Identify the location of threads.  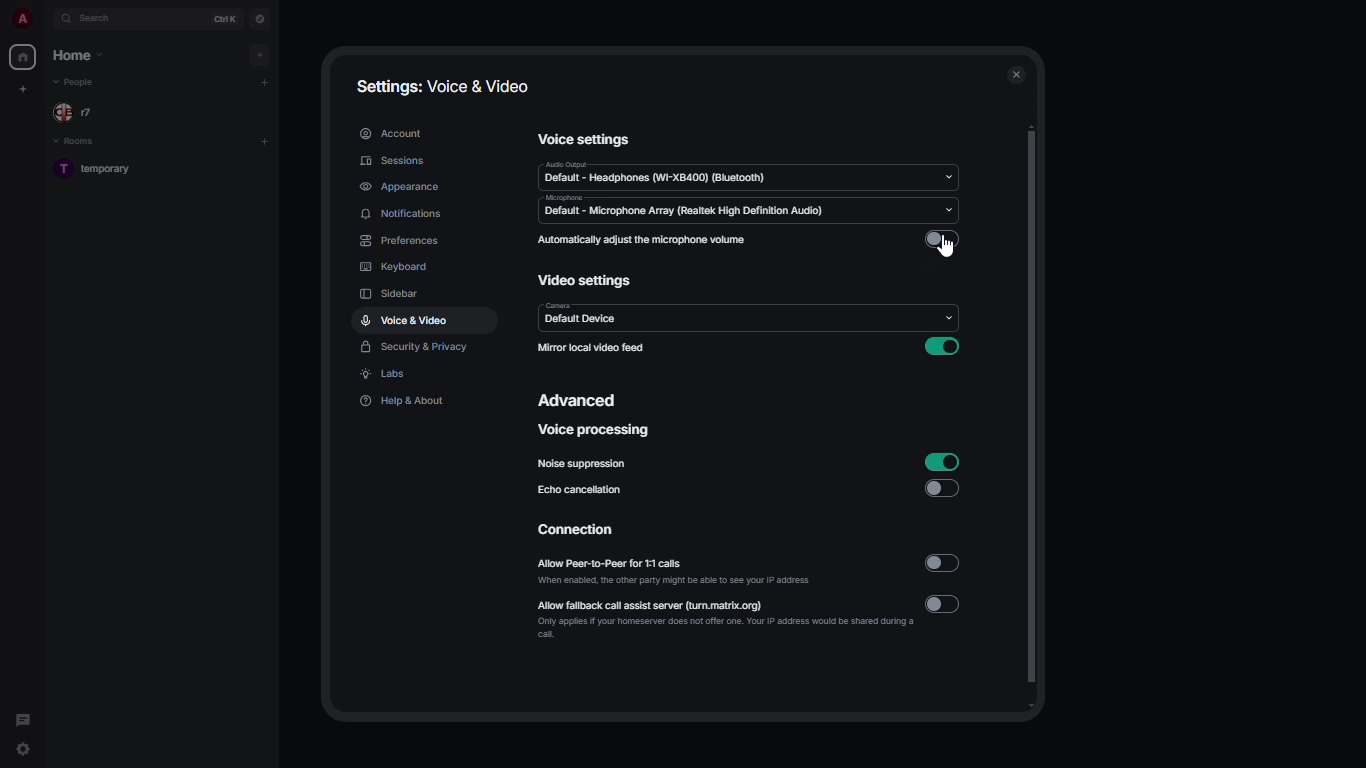
(24, 720).